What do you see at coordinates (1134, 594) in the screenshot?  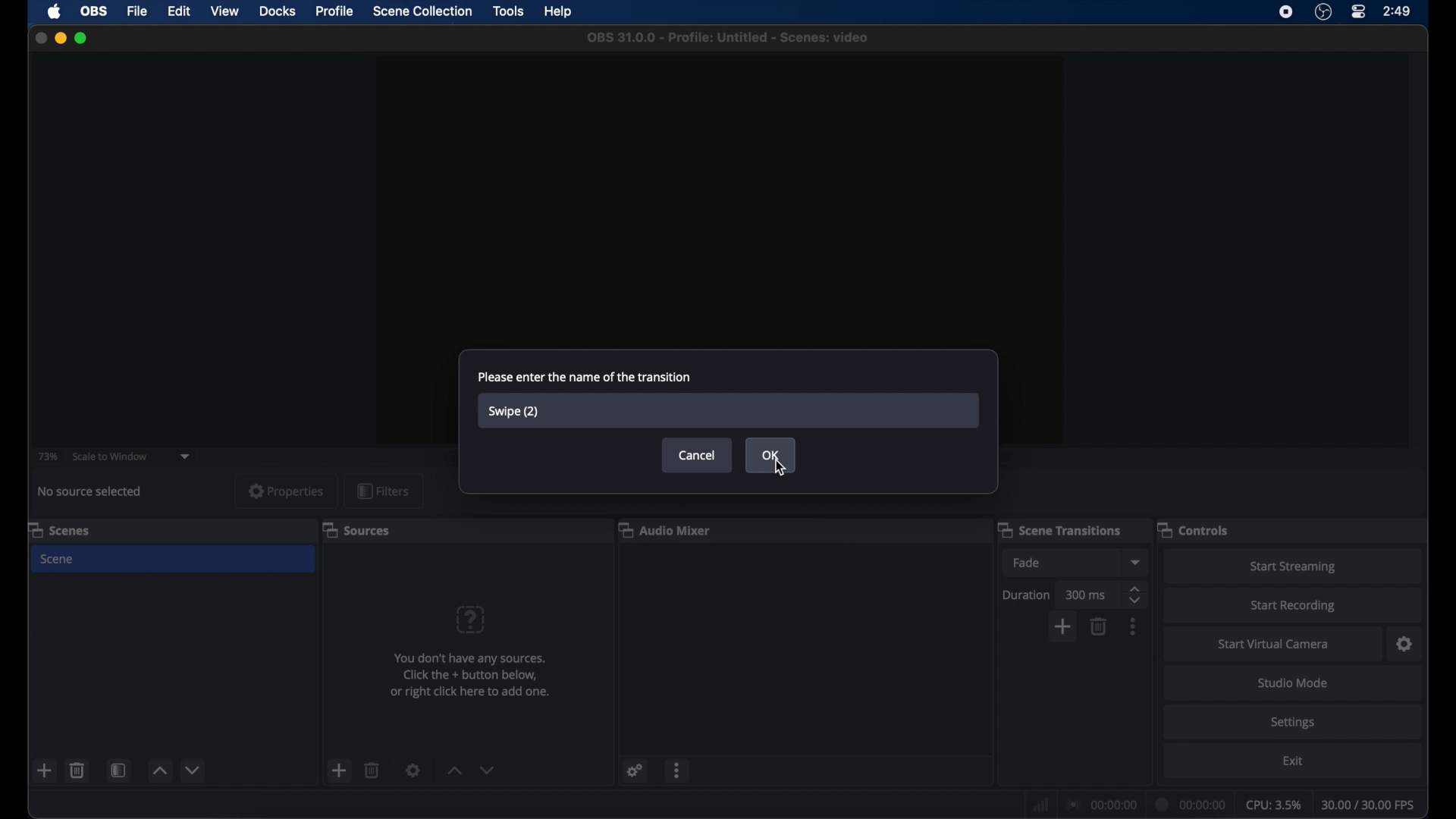 I see `stepper buttons` at bounding box center [1134, 594].